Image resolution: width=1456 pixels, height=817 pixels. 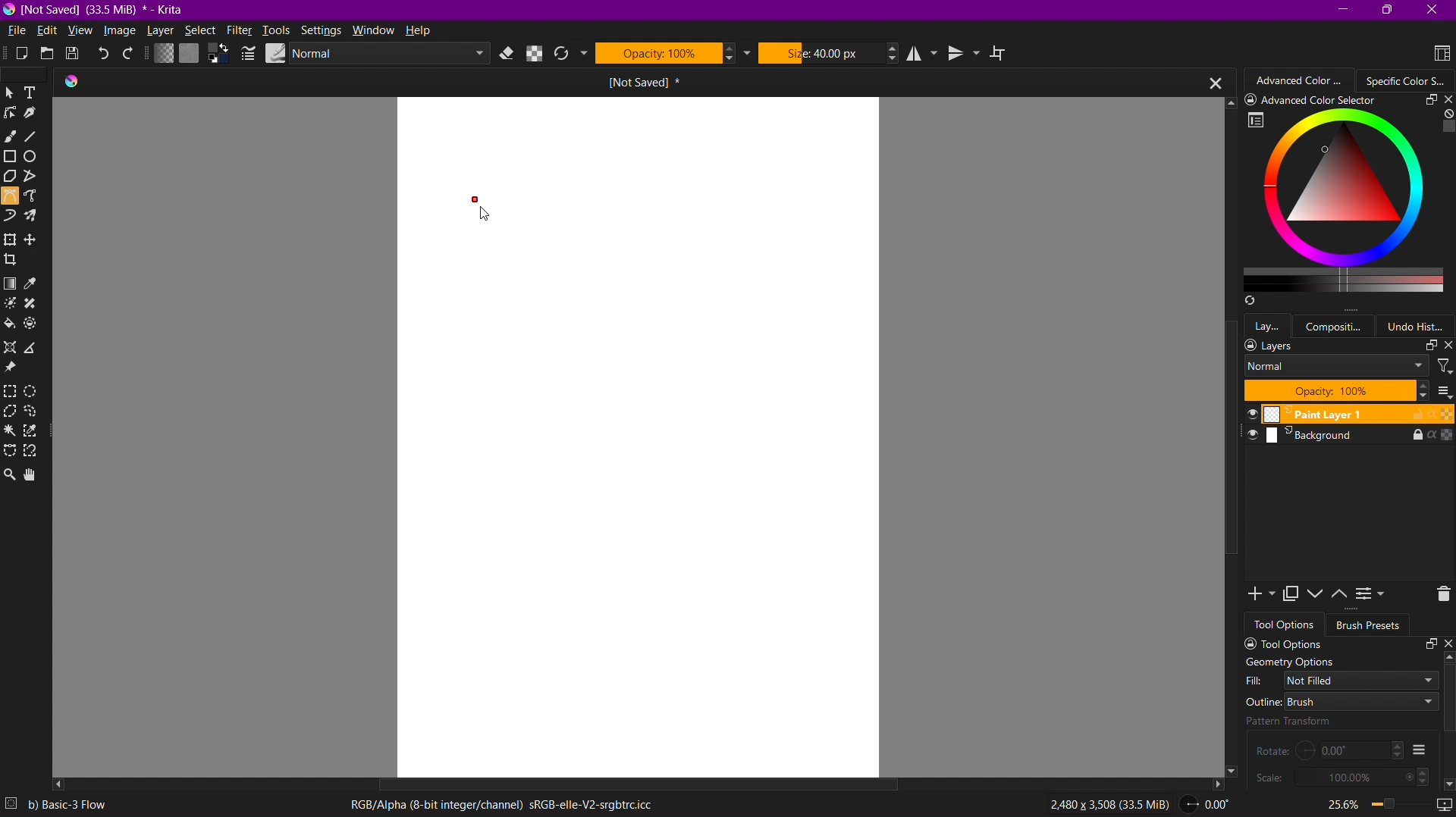 What do you see at coordinates (628, 781) in the screenshot?
I see `Scrollbar` at bounding box center [628, 781].